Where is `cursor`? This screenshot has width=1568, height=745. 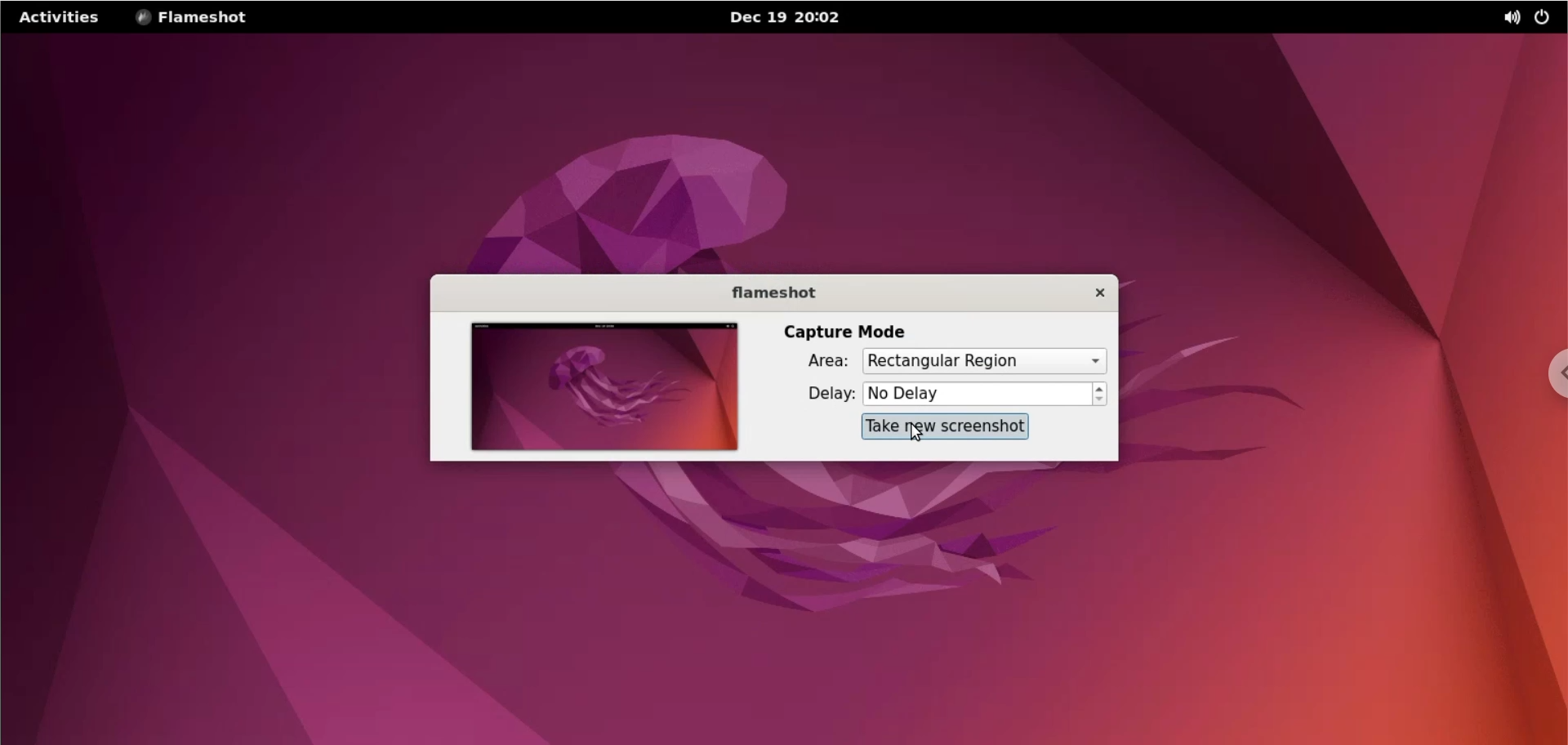 cursor is located at coordinates (913, 434).